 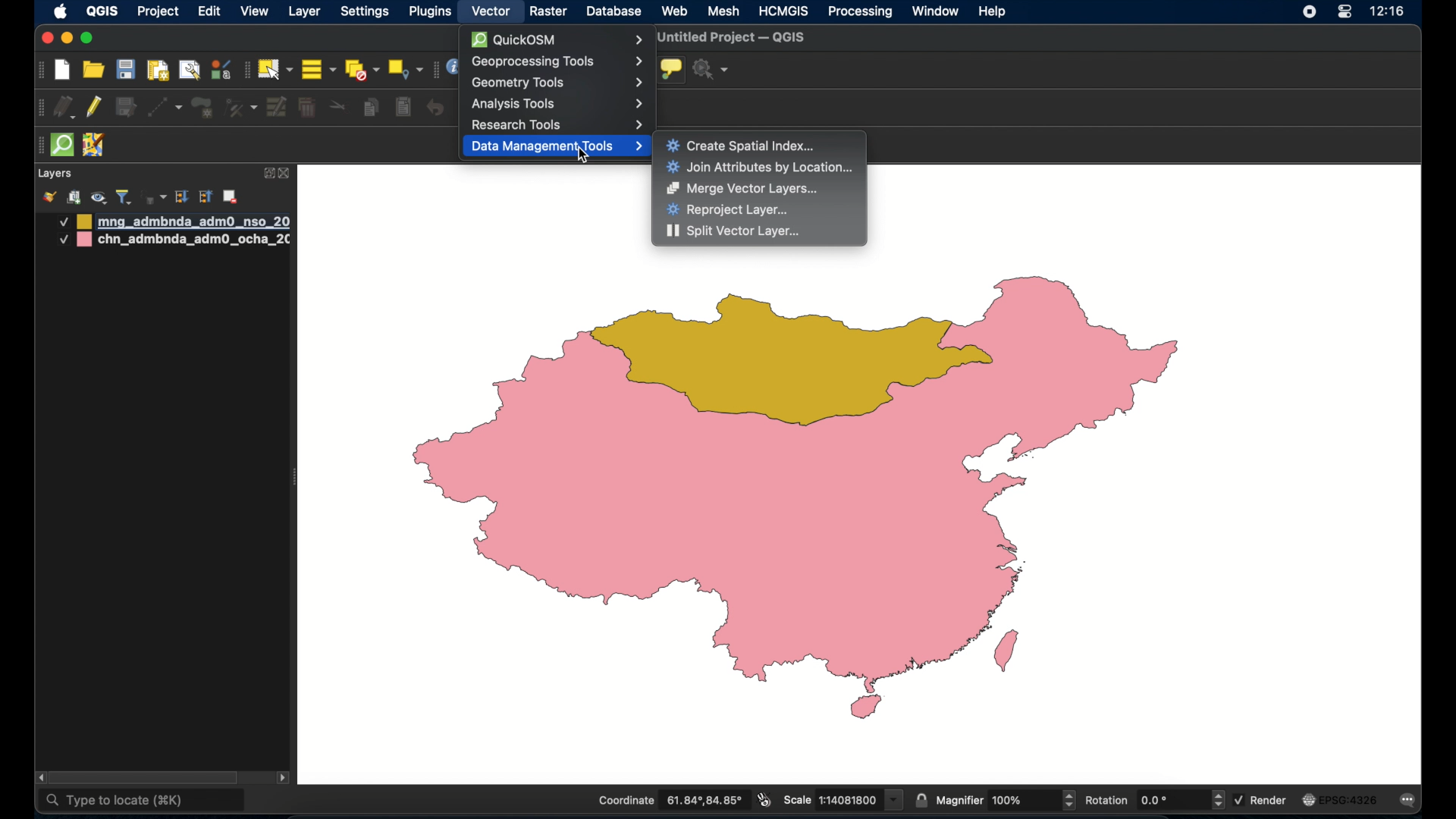 What do you see at coordinates (159, 13) in the screenshot?
I see `project` at bounding box center [159, 13].